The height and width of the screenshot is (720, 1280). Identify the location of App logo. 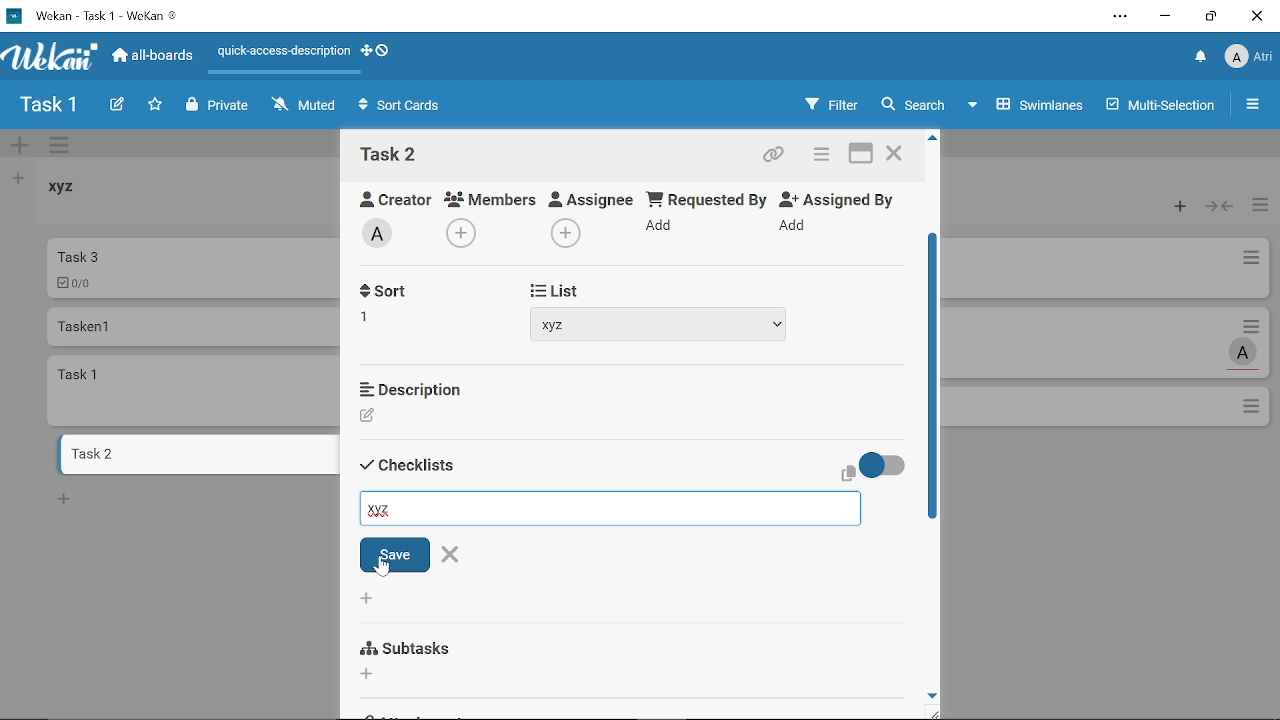
(51, 56).